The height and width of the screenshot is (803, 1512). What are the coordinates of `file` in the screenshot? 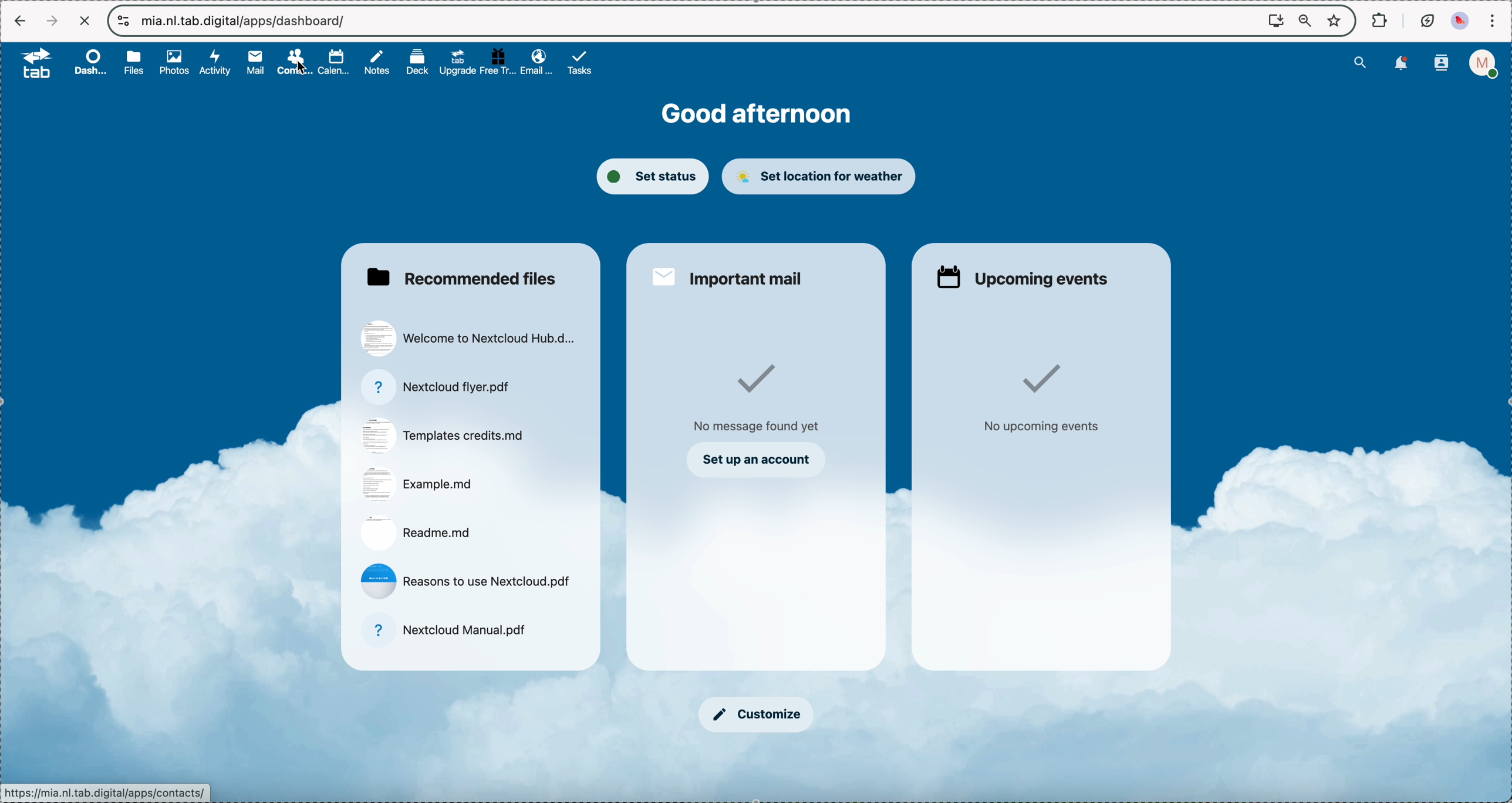 It's located at (417, 531).